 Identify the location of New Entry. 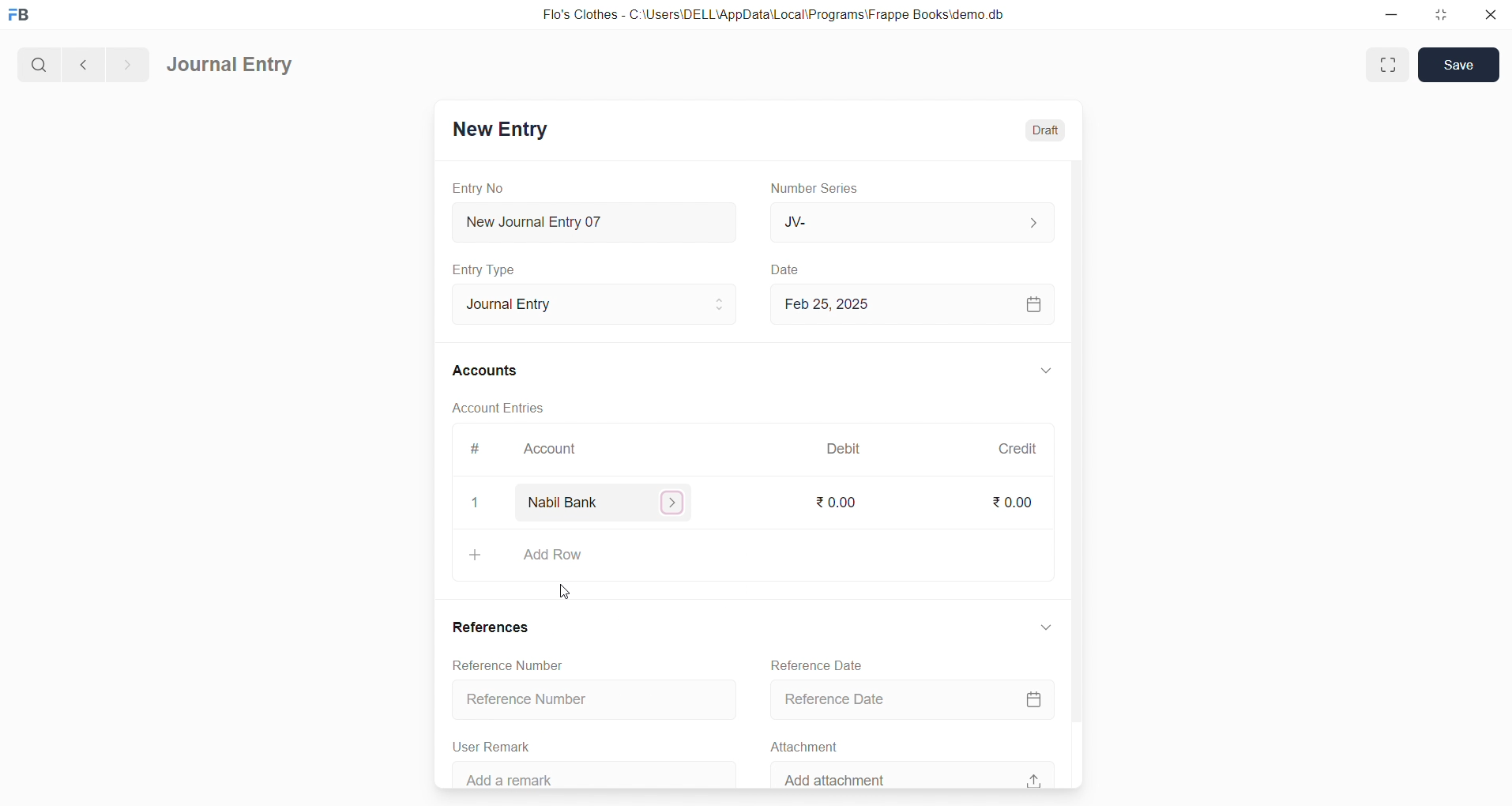
(499, 129).